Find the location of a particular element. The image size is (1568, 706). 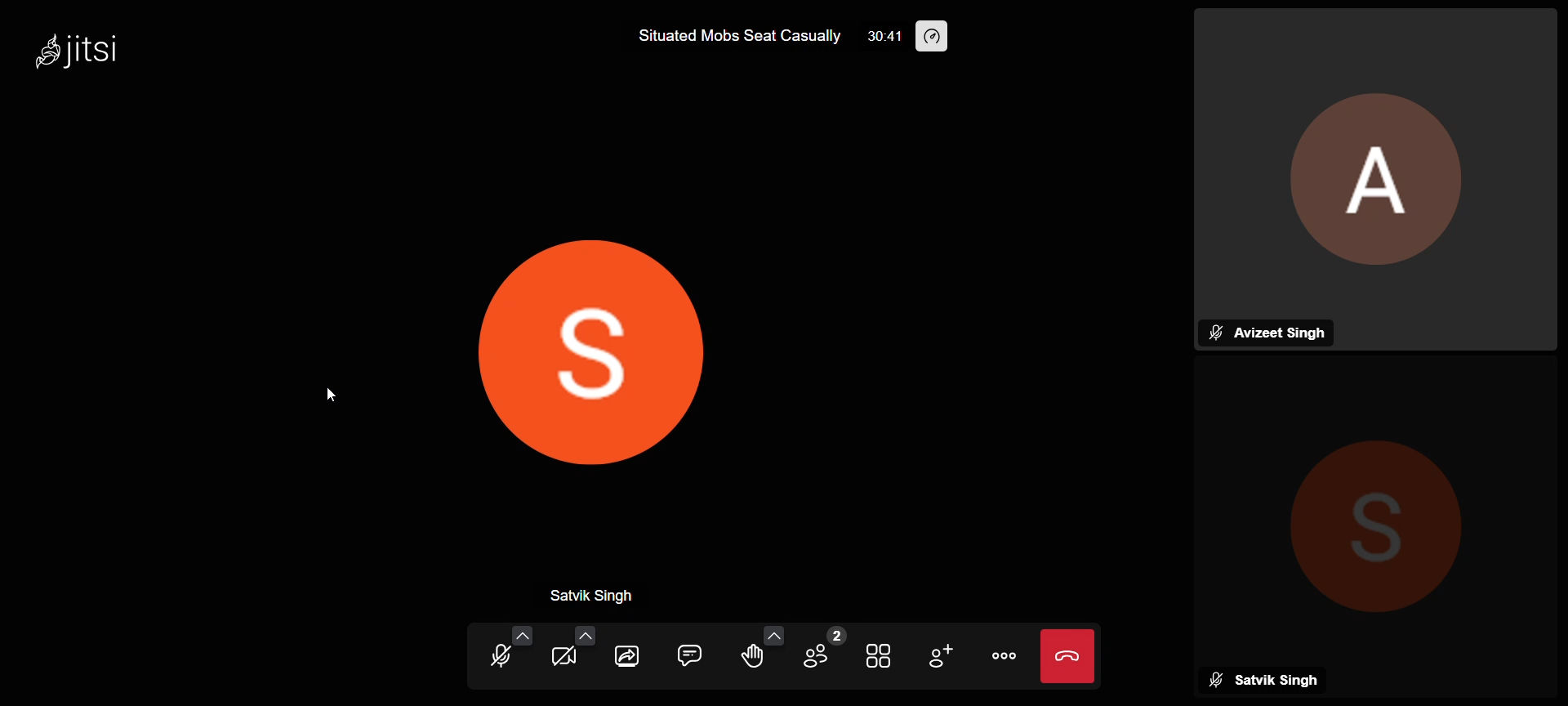

start chat is located at coordinates (688, 655).